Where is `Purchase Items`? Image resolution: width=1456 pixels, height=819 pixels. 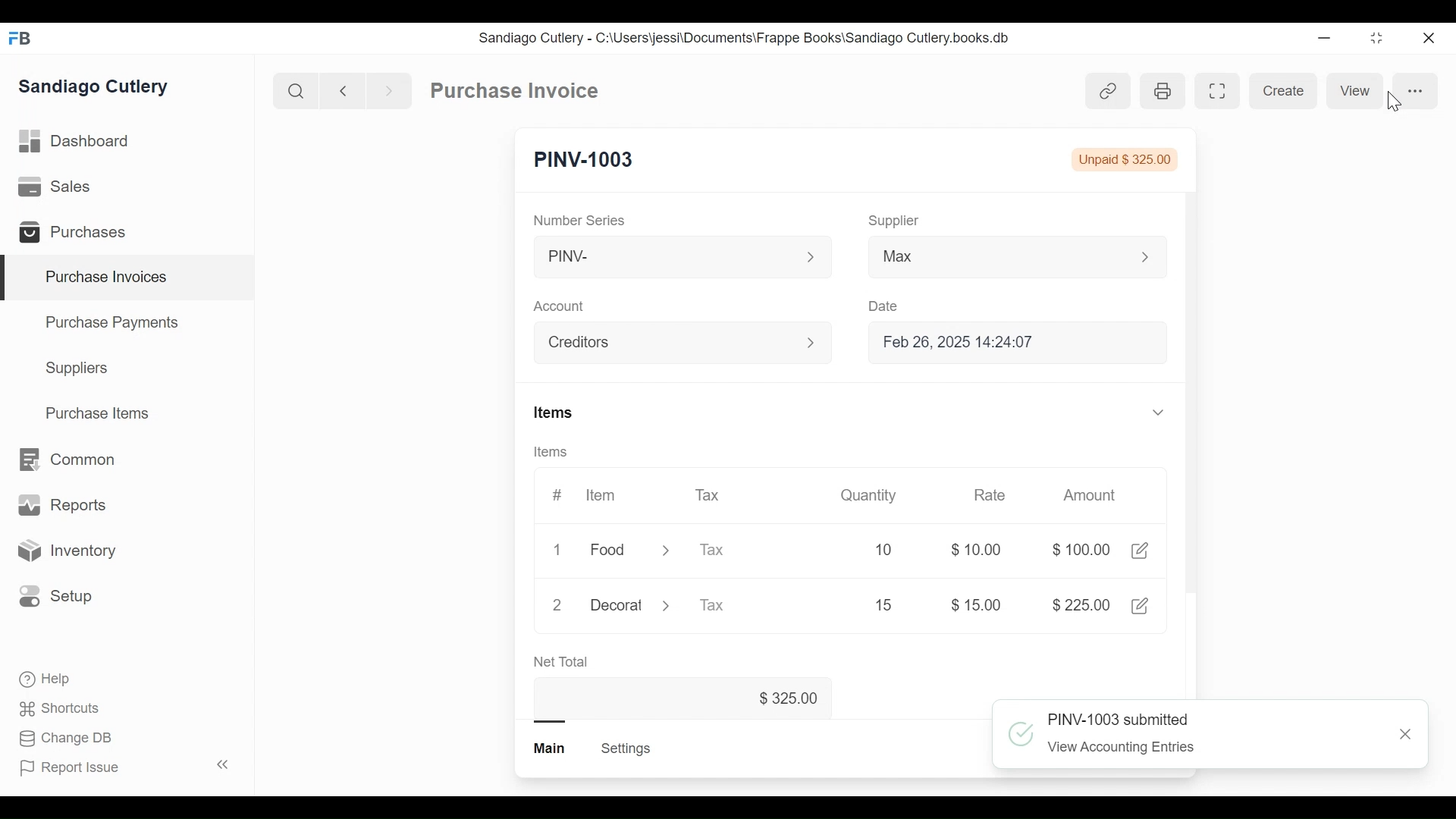
Purchase Items is located at coordinates (98, 415).